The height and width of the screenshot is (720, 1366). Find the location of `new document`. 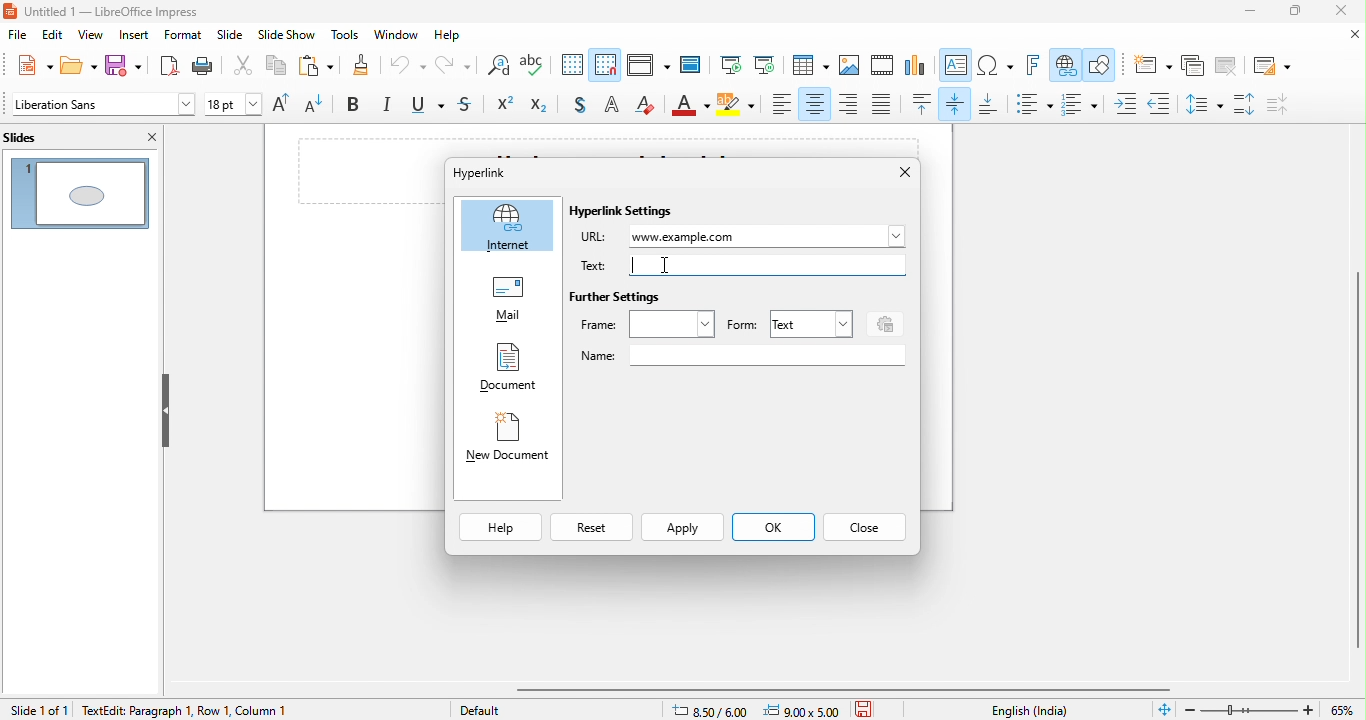

new document is located at coordinates (507, 442).